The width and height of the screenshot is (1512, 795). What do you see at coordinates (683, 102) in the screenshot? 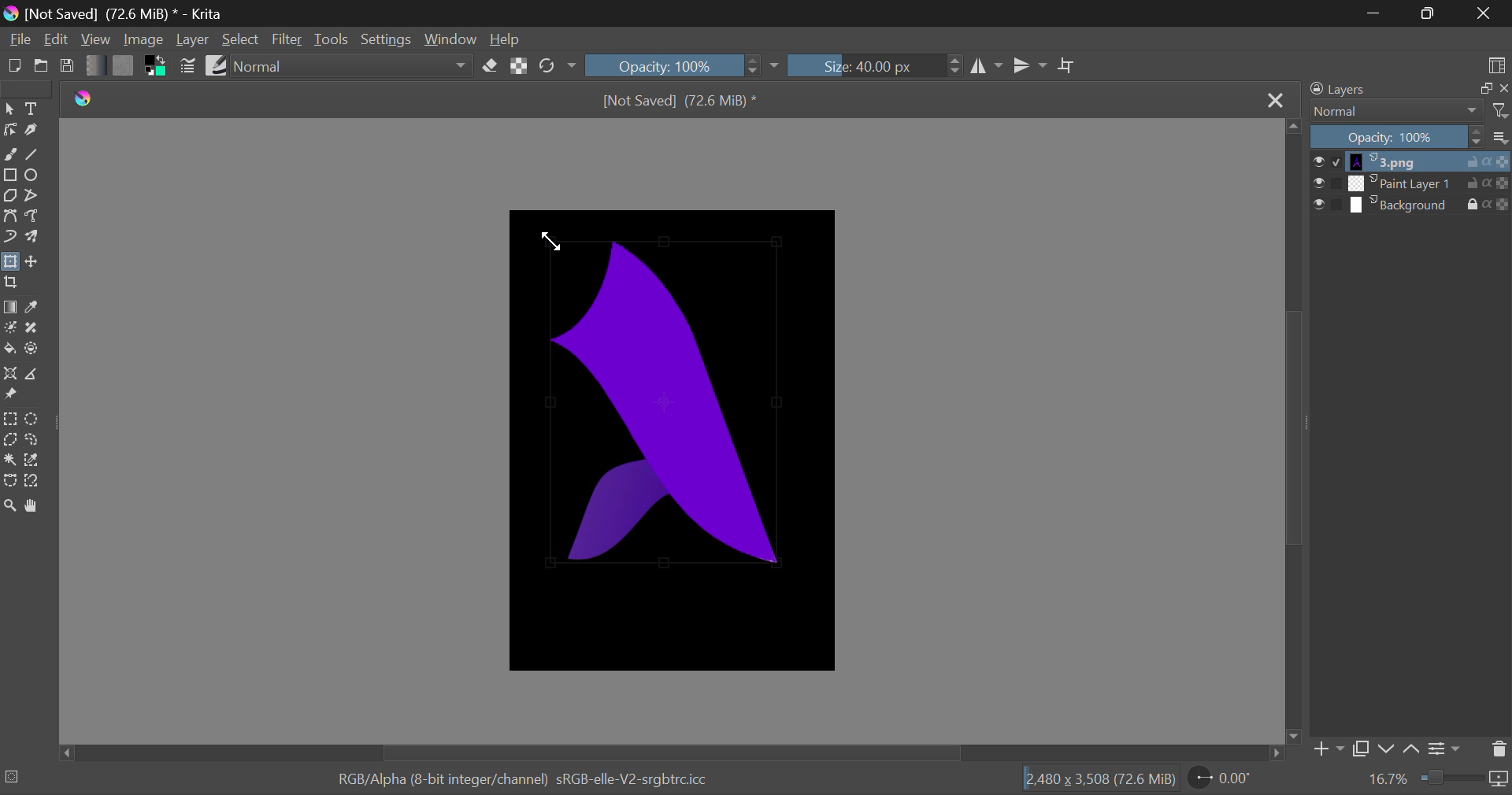
I see `[Not Saved] (71.4 MiB) *` at bounding box center [683, 102].